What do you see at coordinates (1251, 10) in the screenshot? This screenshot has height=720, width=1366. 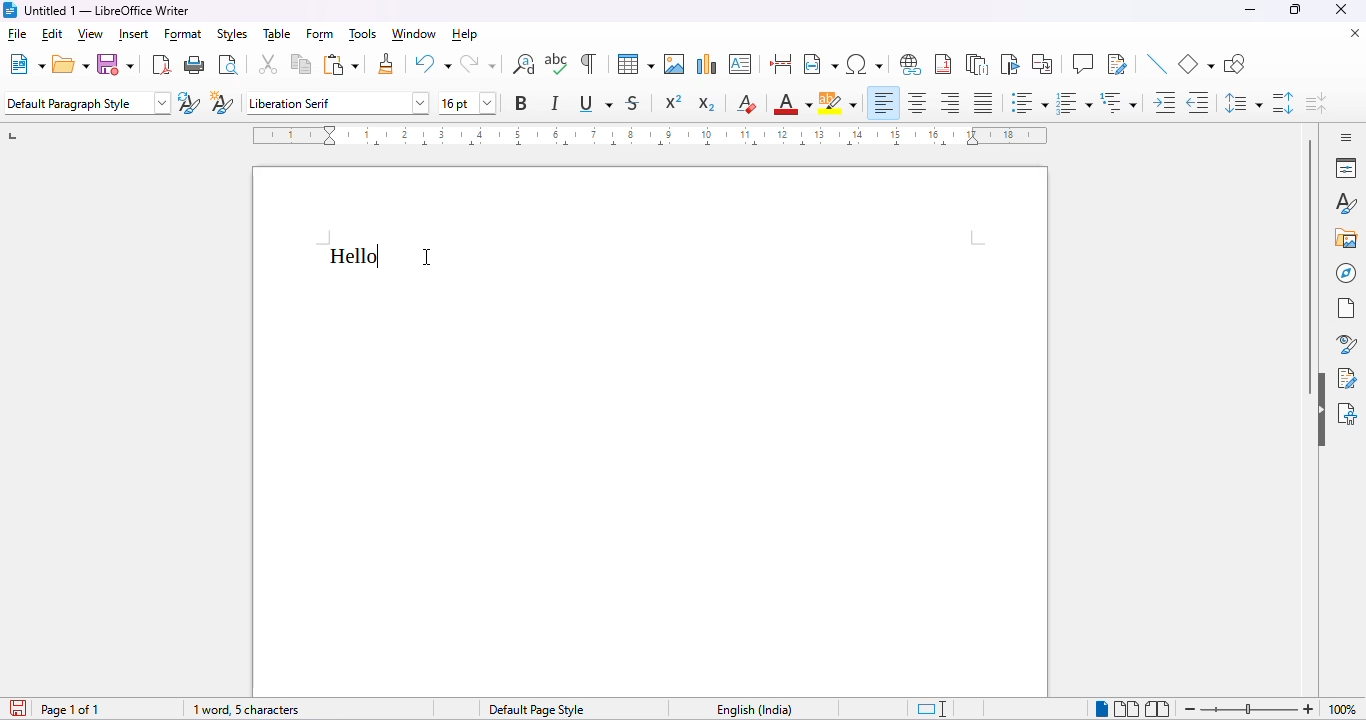 I see `minimize` at bounding box center [1251, 10].